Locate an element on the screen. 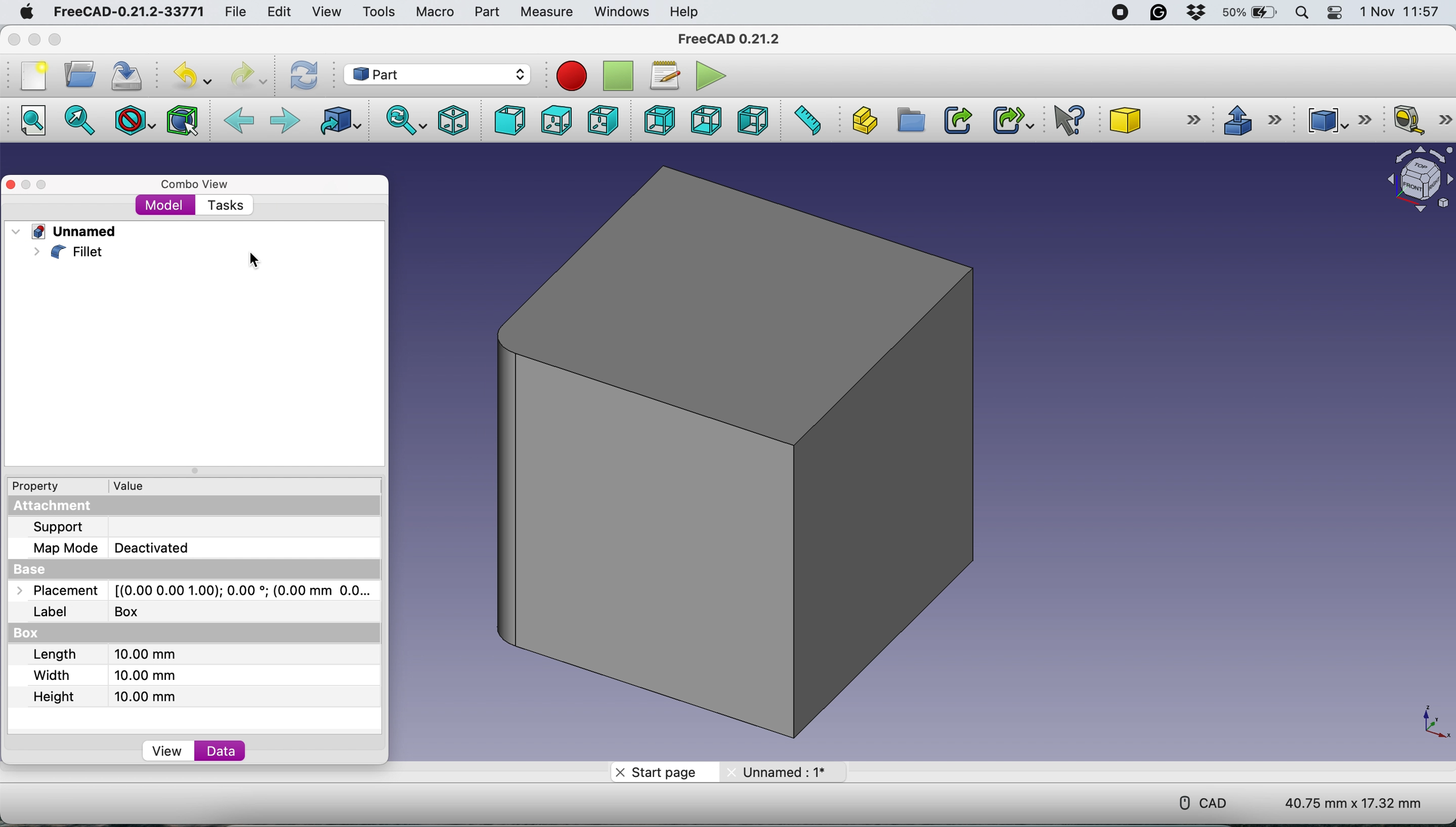 The width and height of the screenshot is (1456, 827). help is located at coordinates (687, 12).